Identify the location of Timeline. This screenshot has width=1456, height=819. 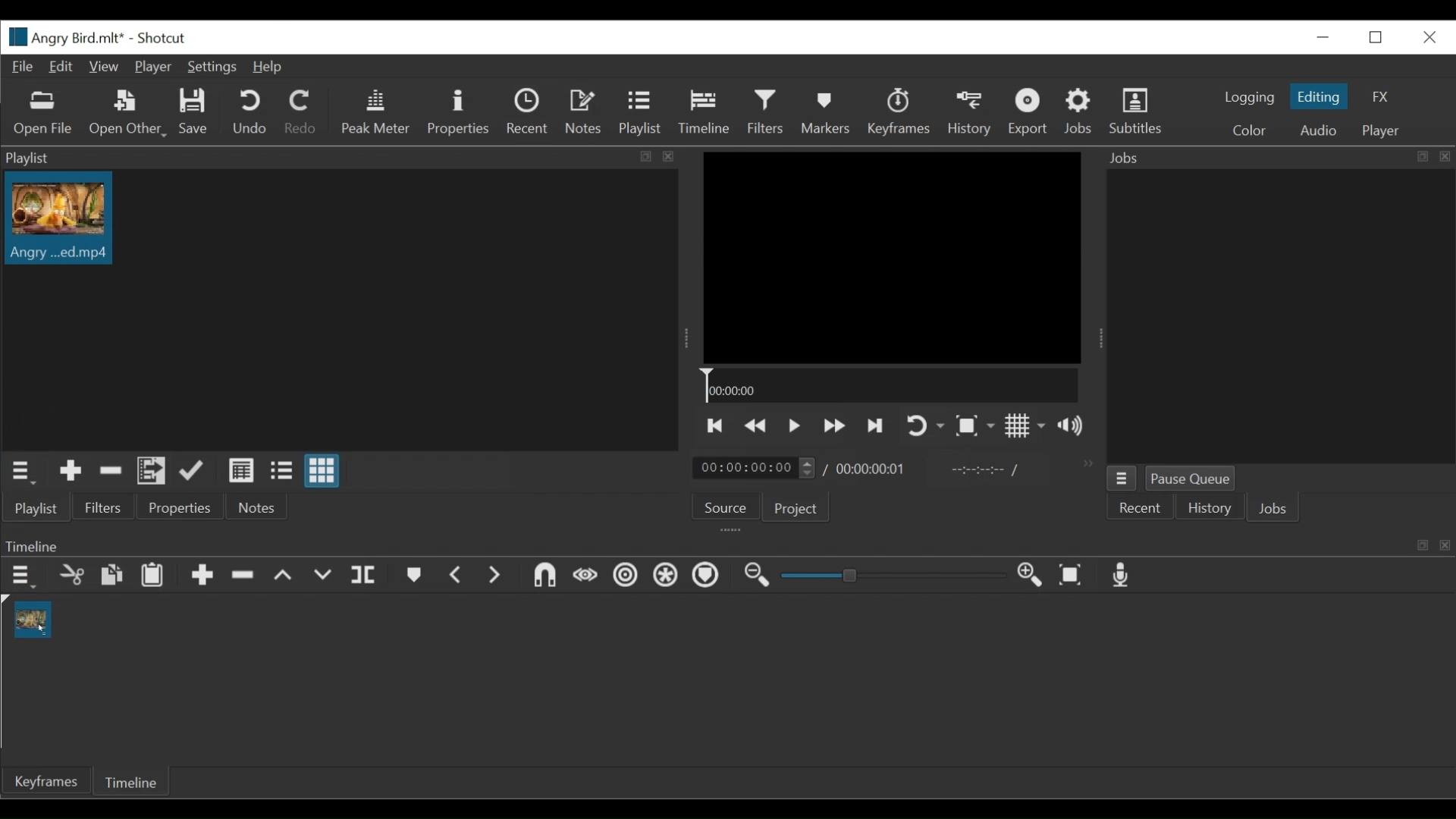
(704, 111).